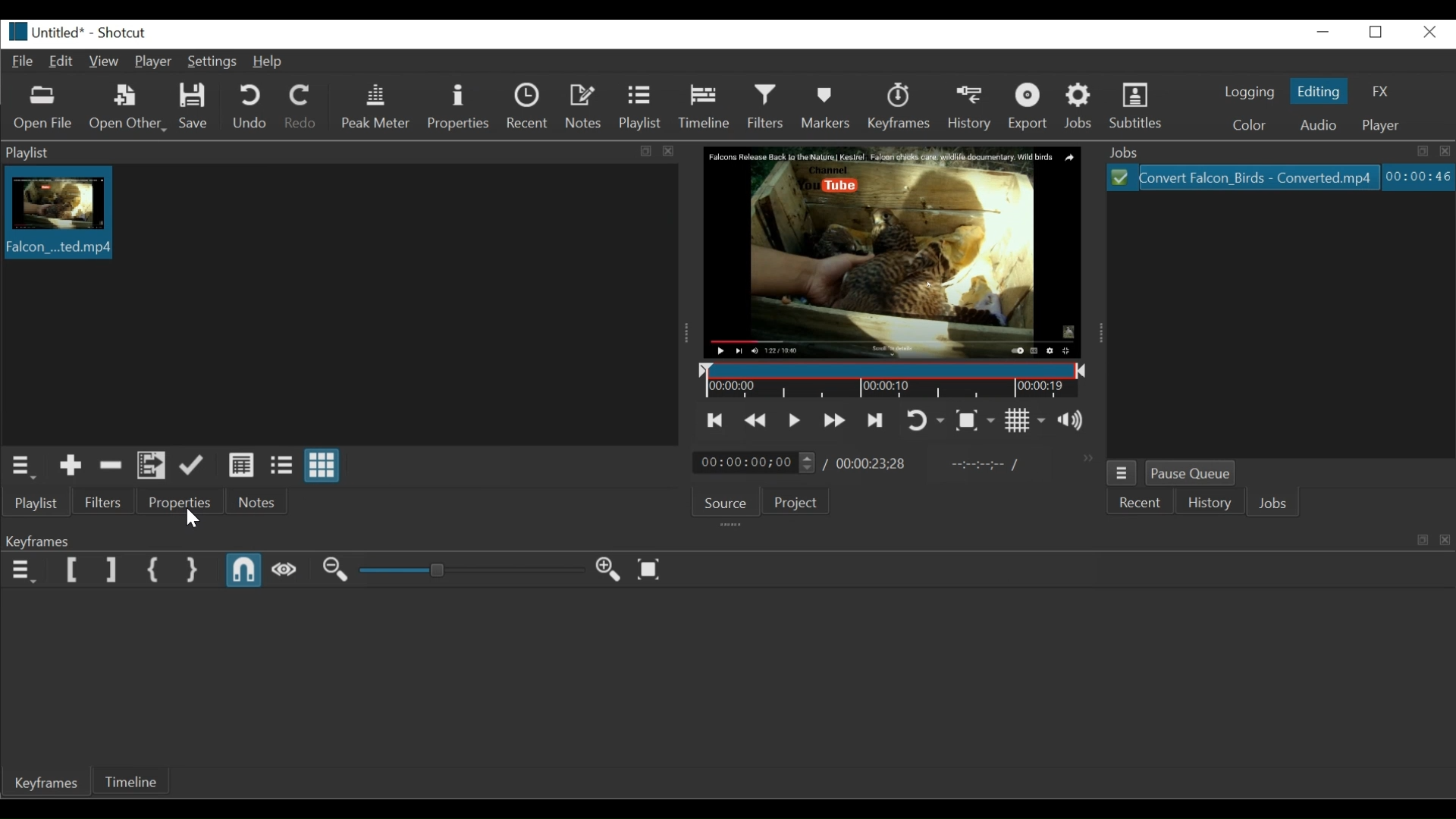  What do you see at coordinates (284, 573) in the screenshot?
I see `Scrub while dragging` at bounding box center [284, 573].